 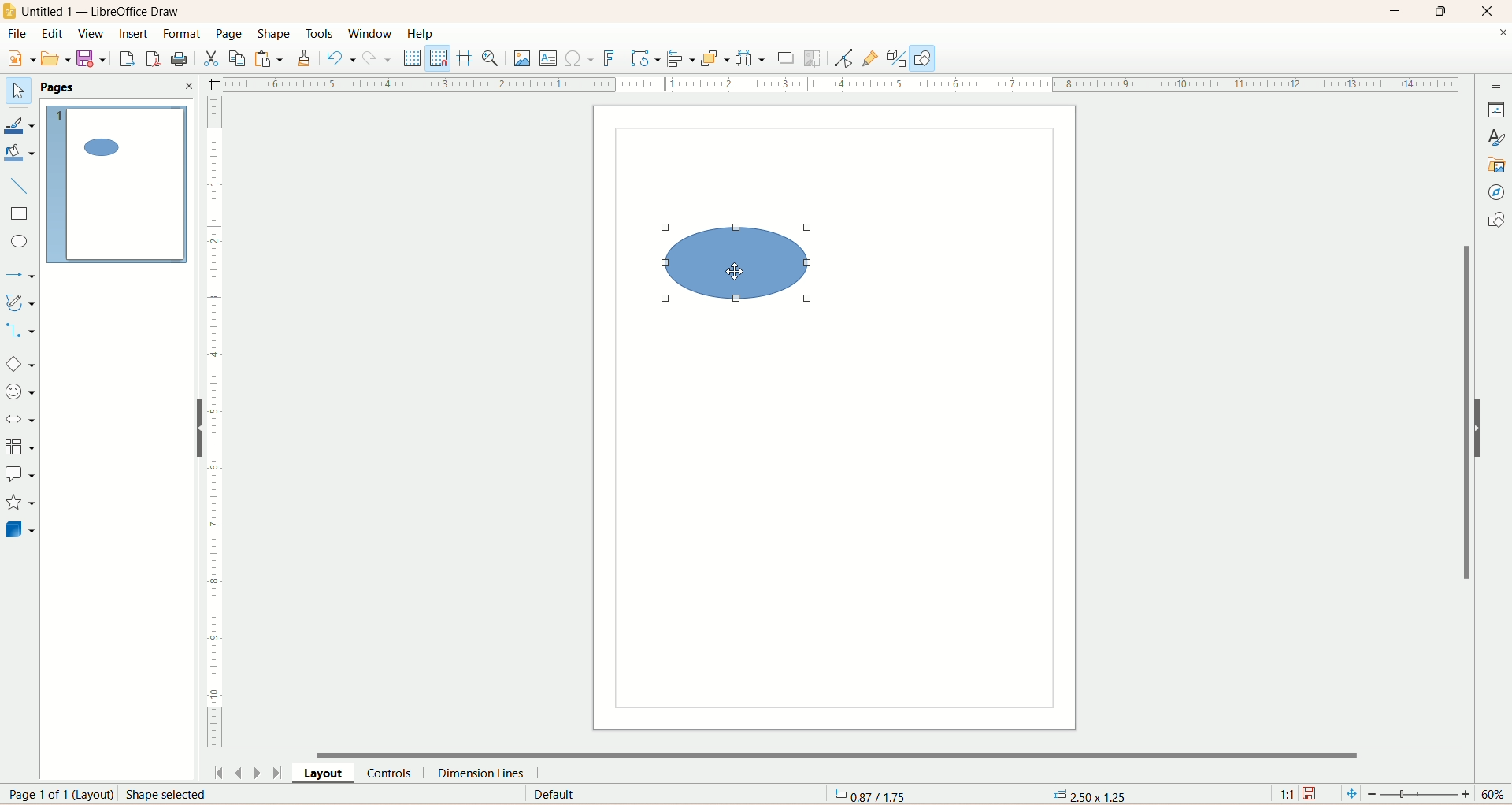 I want to click on zoom and pan, so click(x=494, y=61).